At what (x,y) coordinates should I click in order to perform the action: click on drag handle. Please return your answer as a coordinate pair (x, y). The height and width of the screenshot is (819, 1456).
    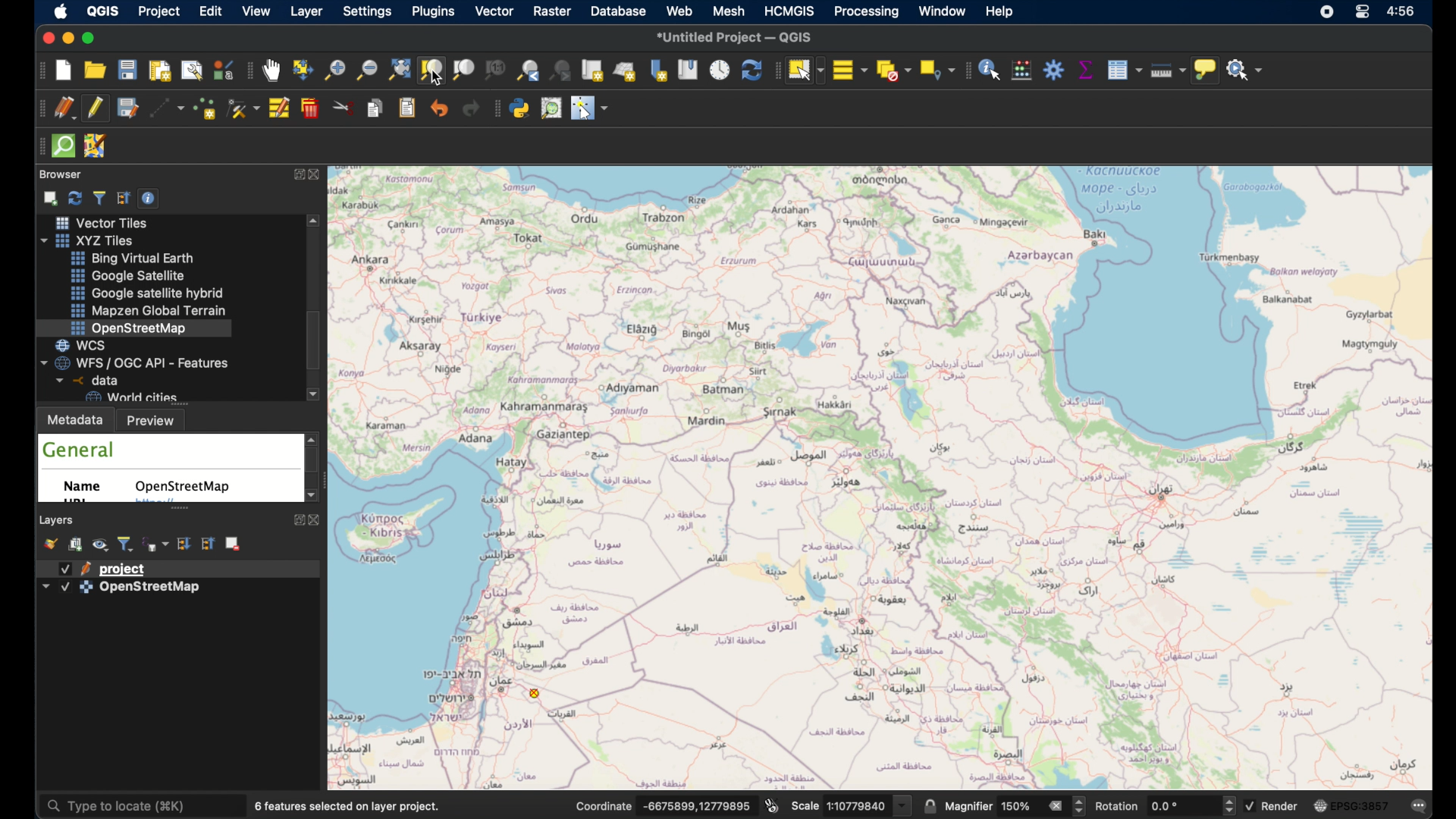
    Looking at the image, I should click on (39, 146).